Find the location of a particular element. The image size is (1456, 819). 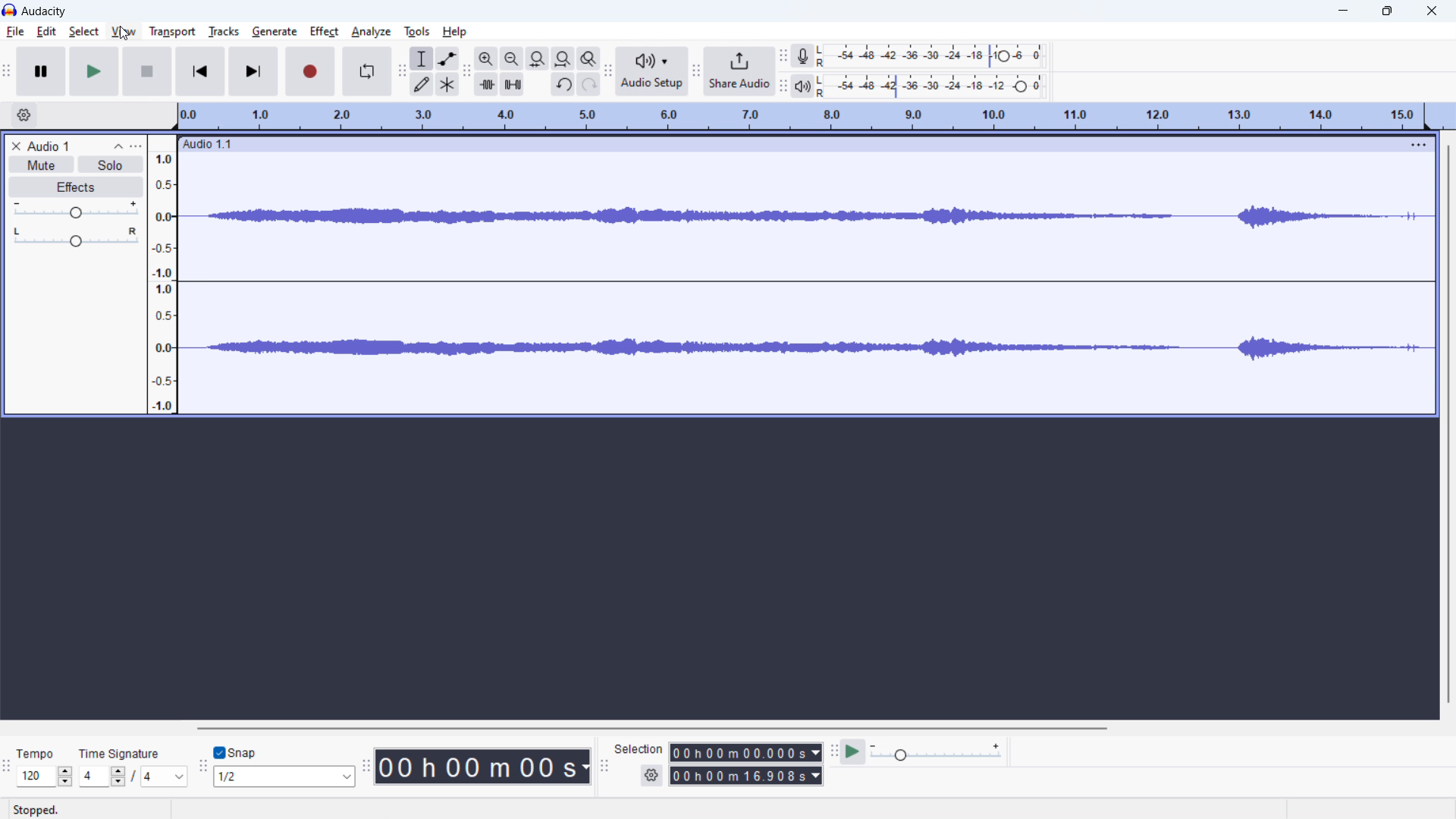

selection tool is located at coordinates (421, 58).